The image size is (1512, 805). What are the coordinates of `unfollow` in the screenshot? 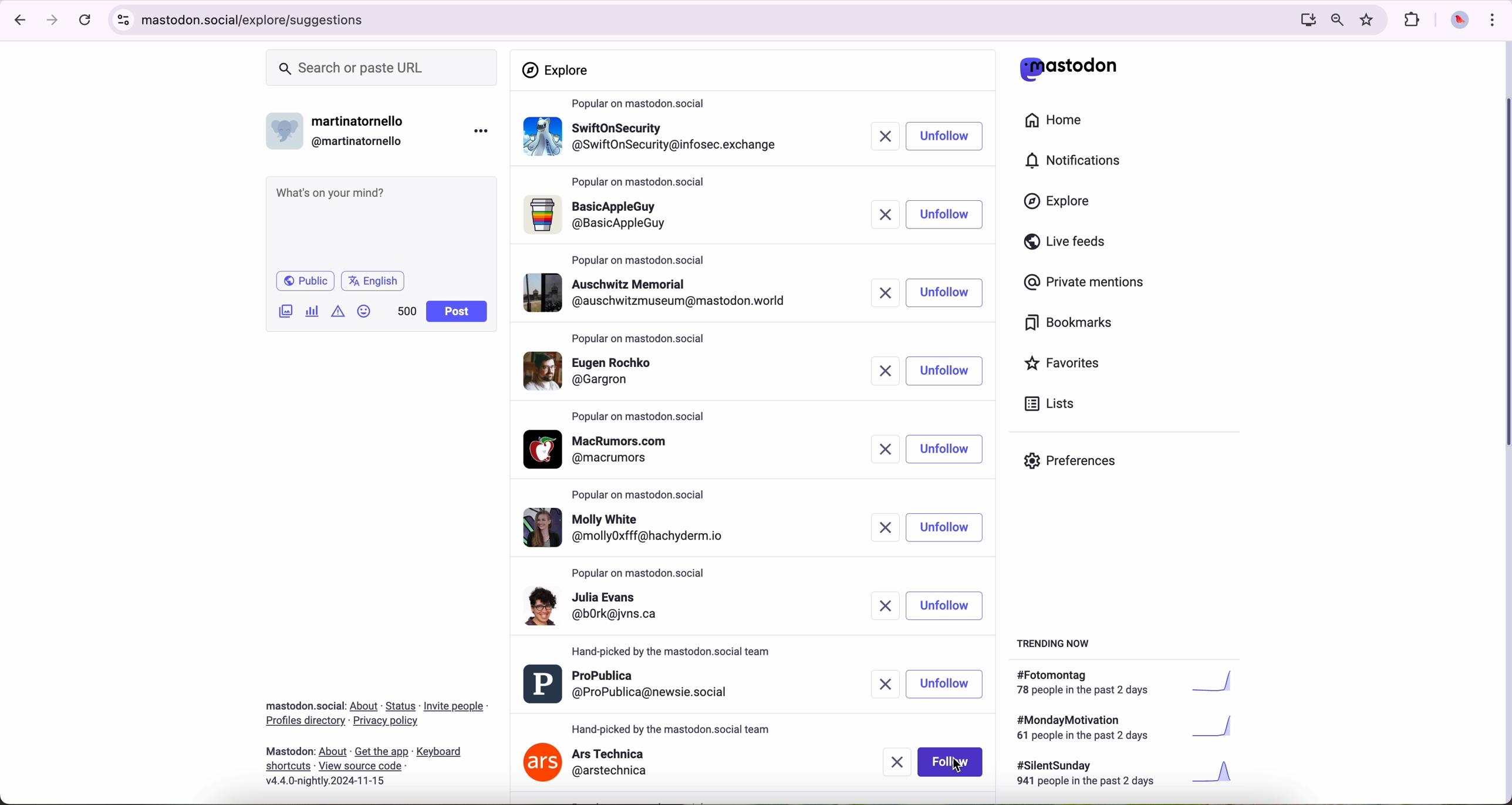 It's located at (945, 449).